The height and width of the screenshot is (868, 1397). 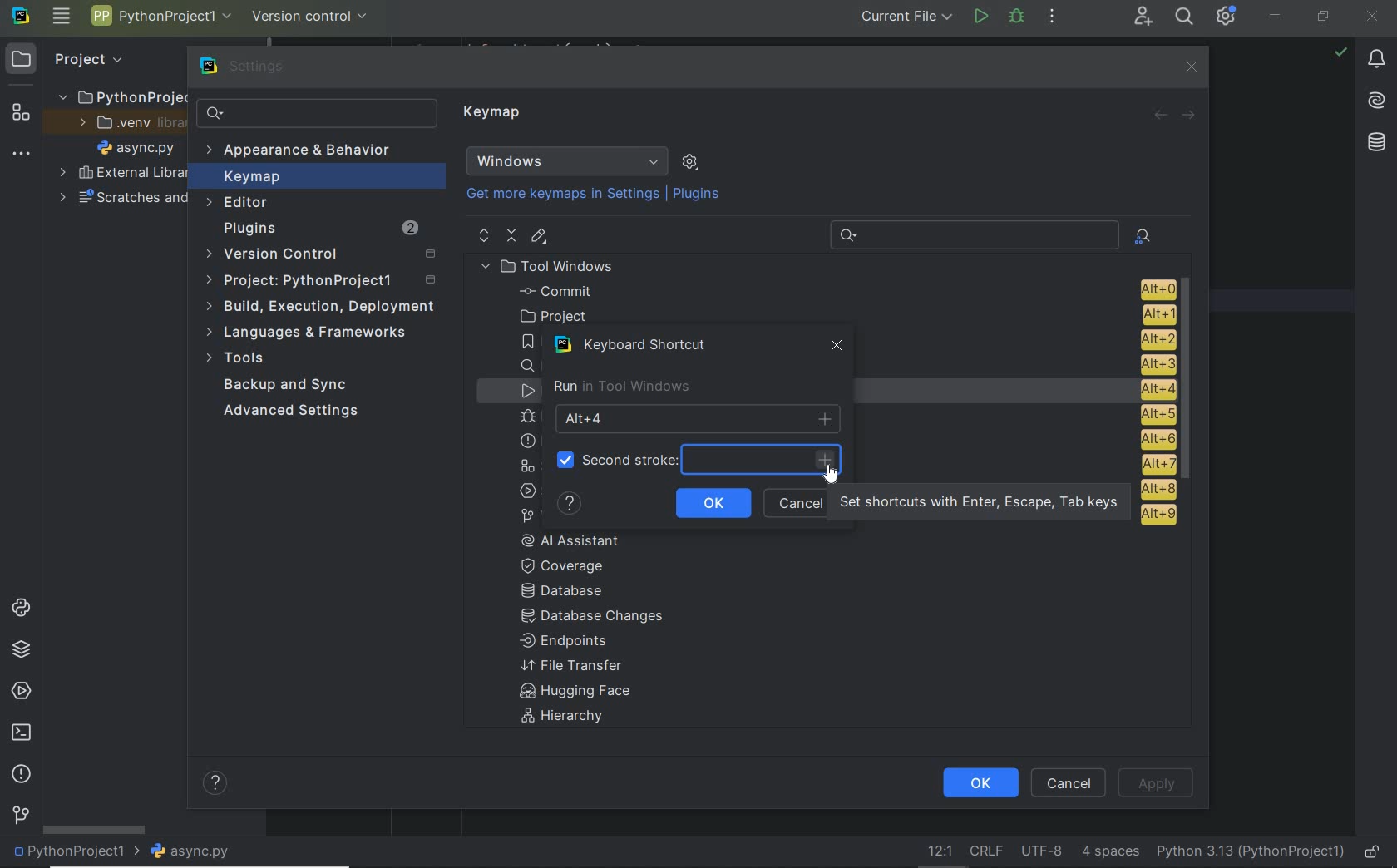 What do you see at coordinates (1276, 15) in the screenshot?
I see `minimize` at bounding box center [1276, 15].